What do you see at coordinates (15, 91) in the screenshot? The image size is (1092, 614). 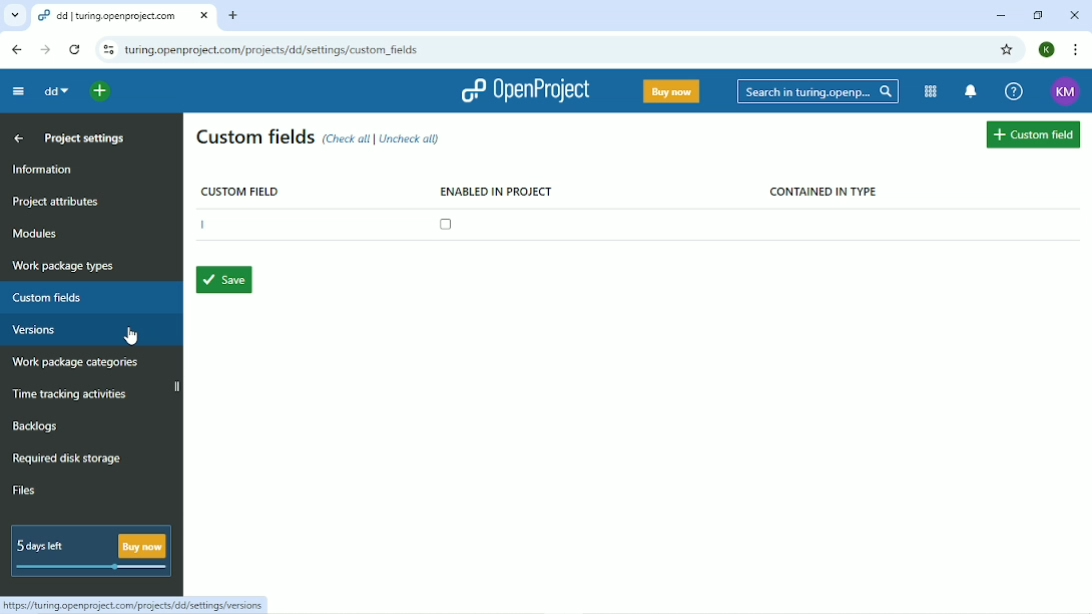 I see `Collapse project menu` at bounding box center [15, 91].